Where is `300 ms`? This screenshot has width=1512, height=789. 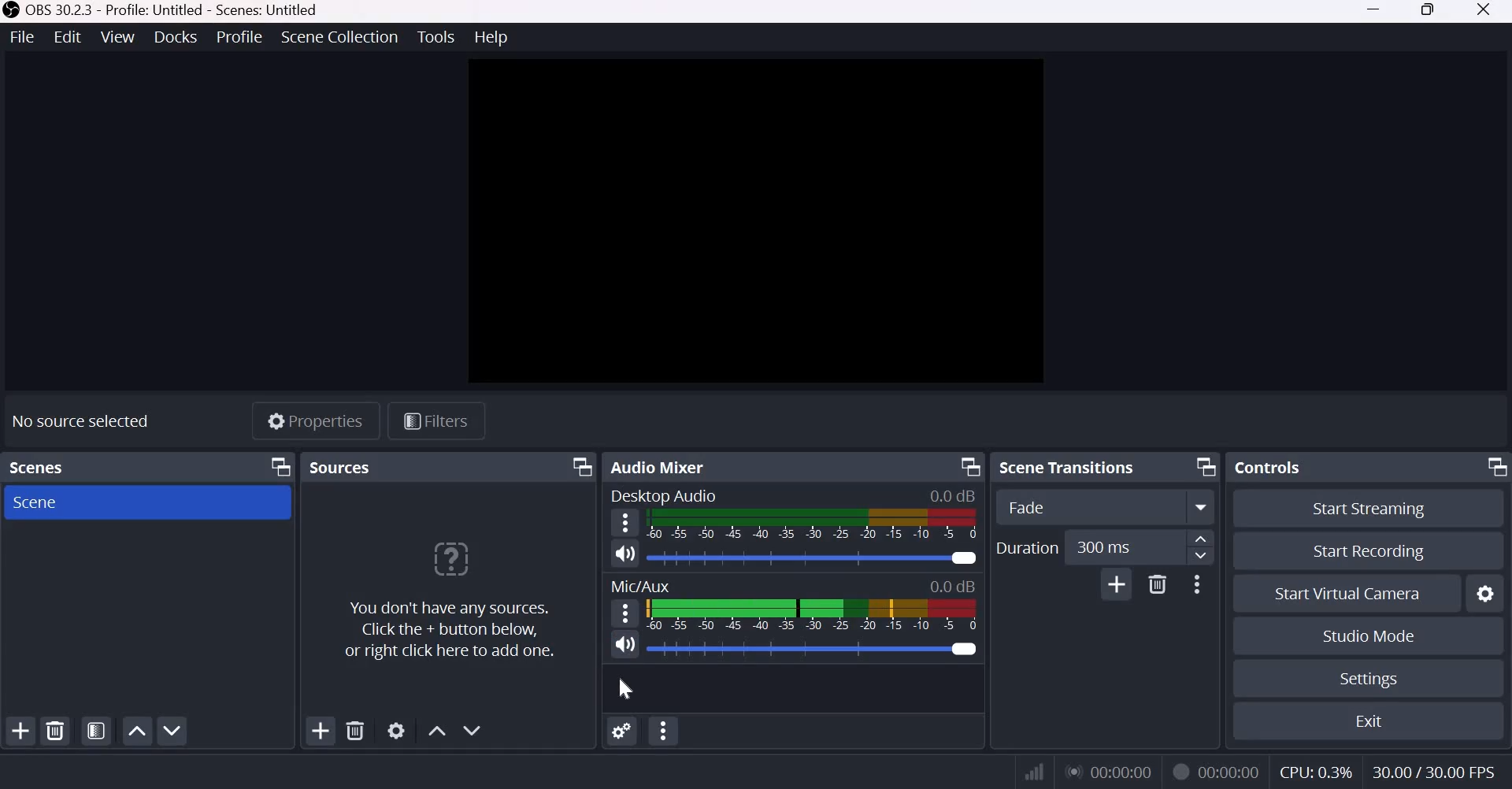
300 ms is located at coordinates (1120, 547).